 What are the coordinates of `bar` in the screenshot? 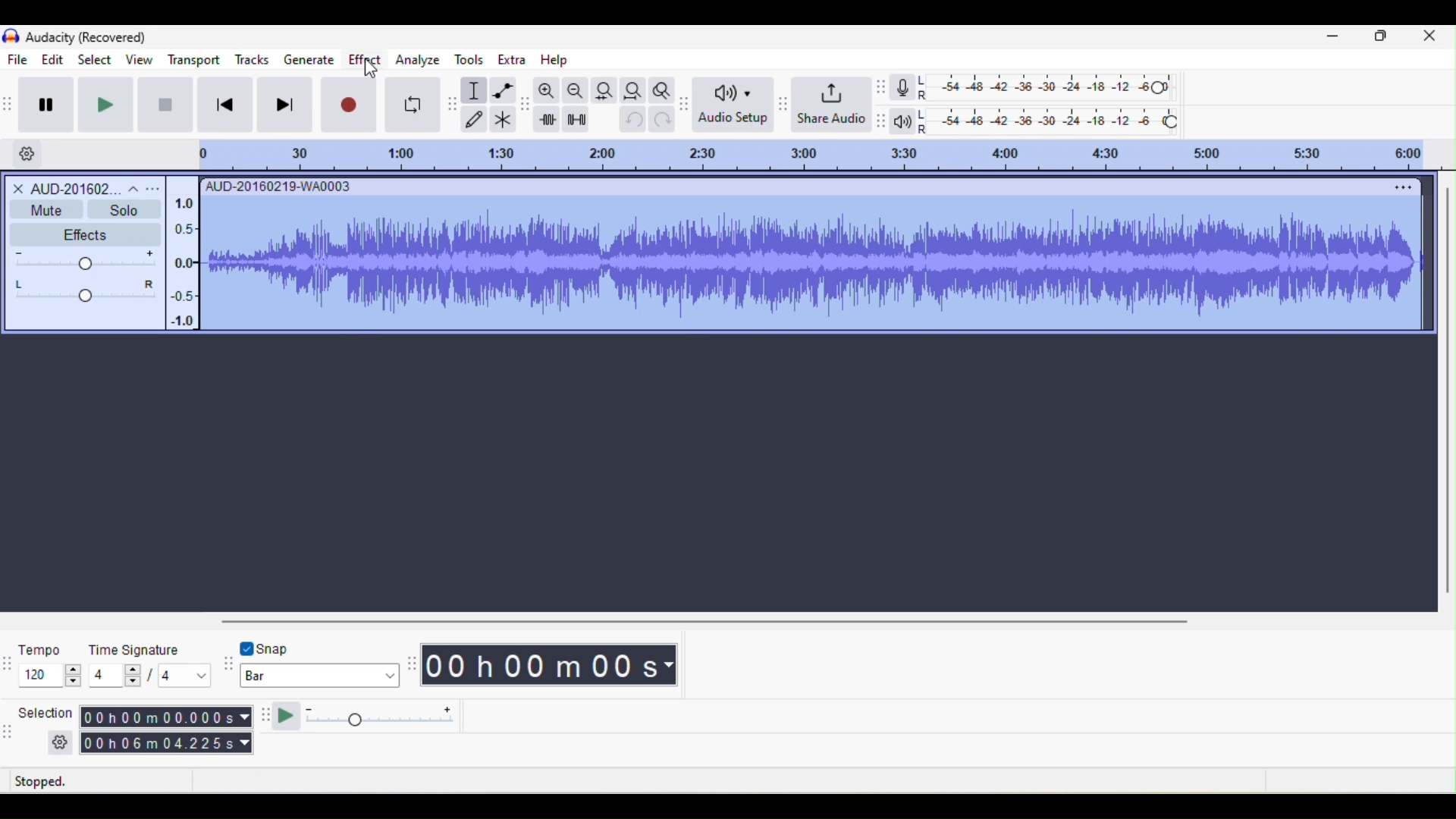 It's located at (319, 676).